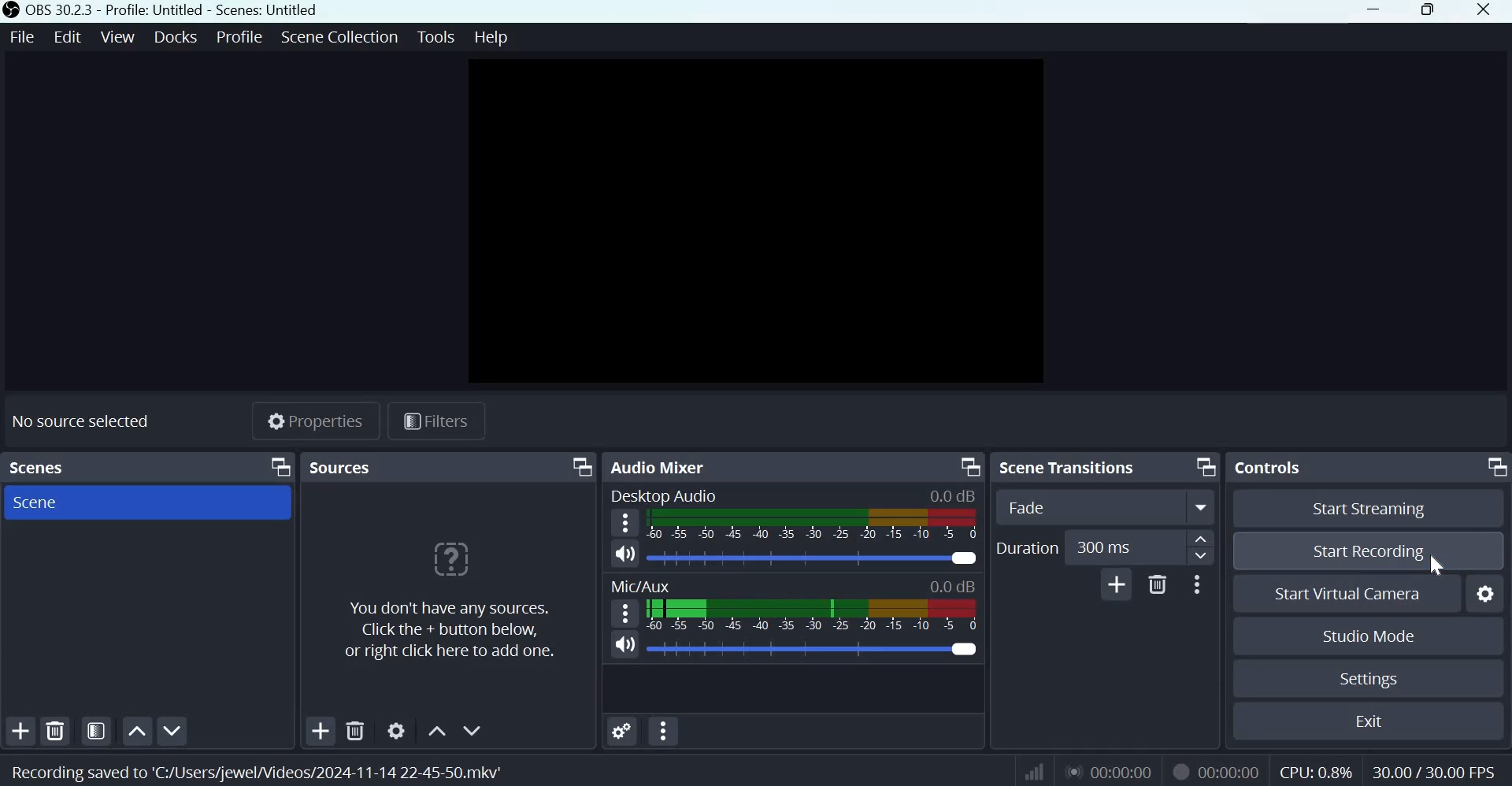  I want to click on Audio Slider, so click(967, 649).